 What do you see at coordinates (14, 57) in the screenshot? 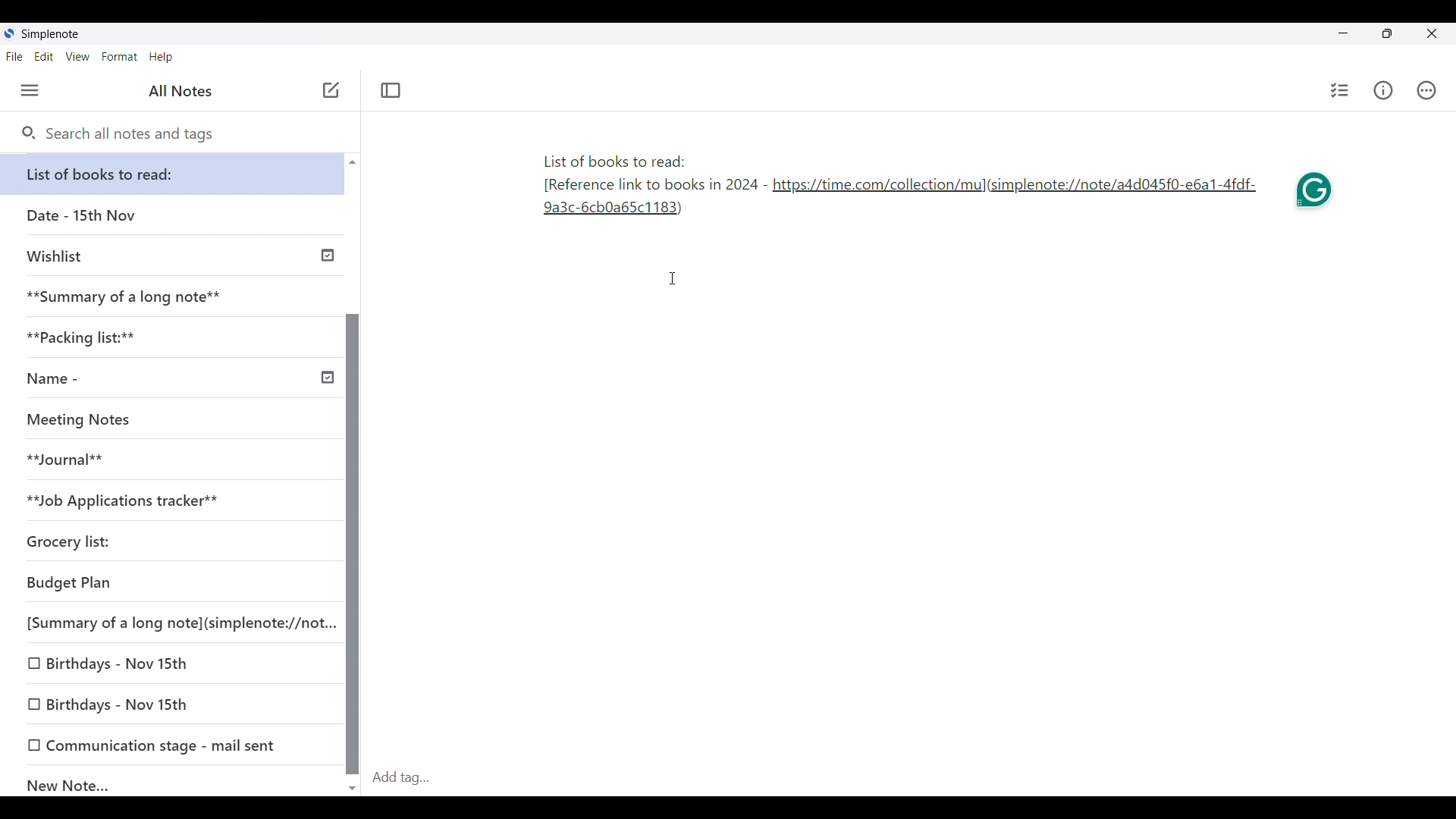
I see `File` at bounding box center [14, 57].